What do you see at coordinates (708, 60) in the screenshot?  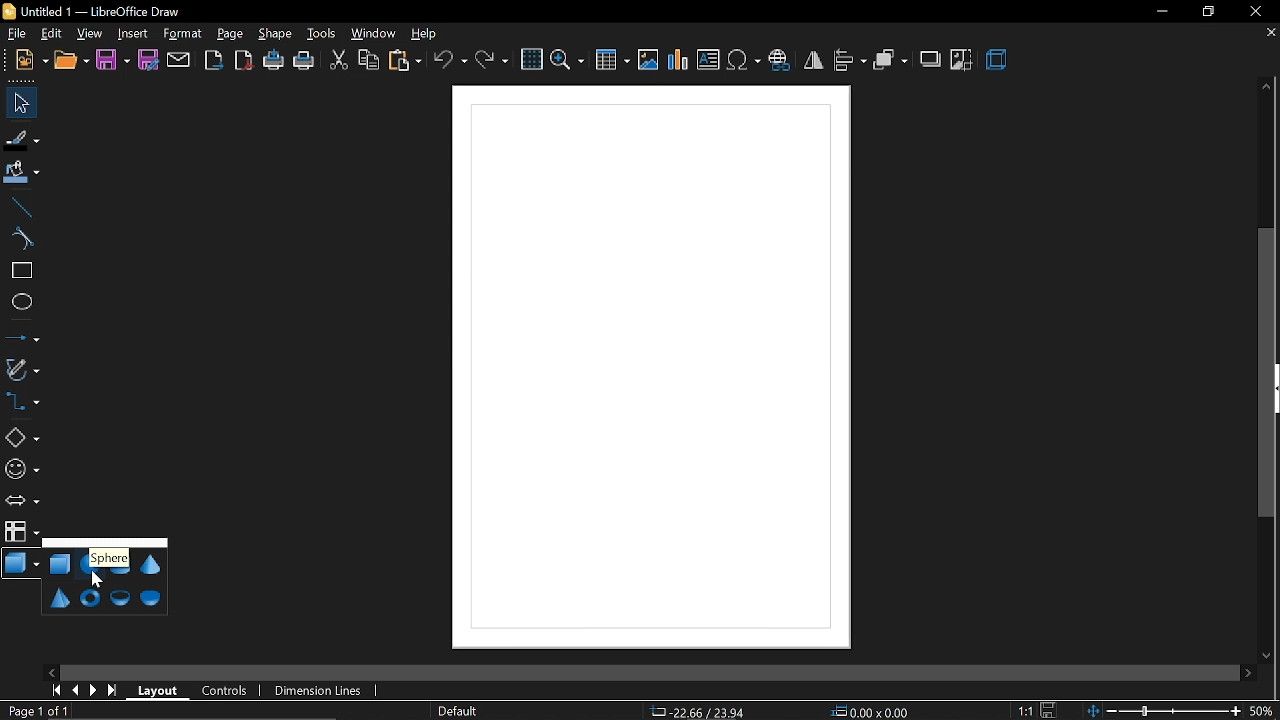 I see `insert text` at bounding box center [708, 60].